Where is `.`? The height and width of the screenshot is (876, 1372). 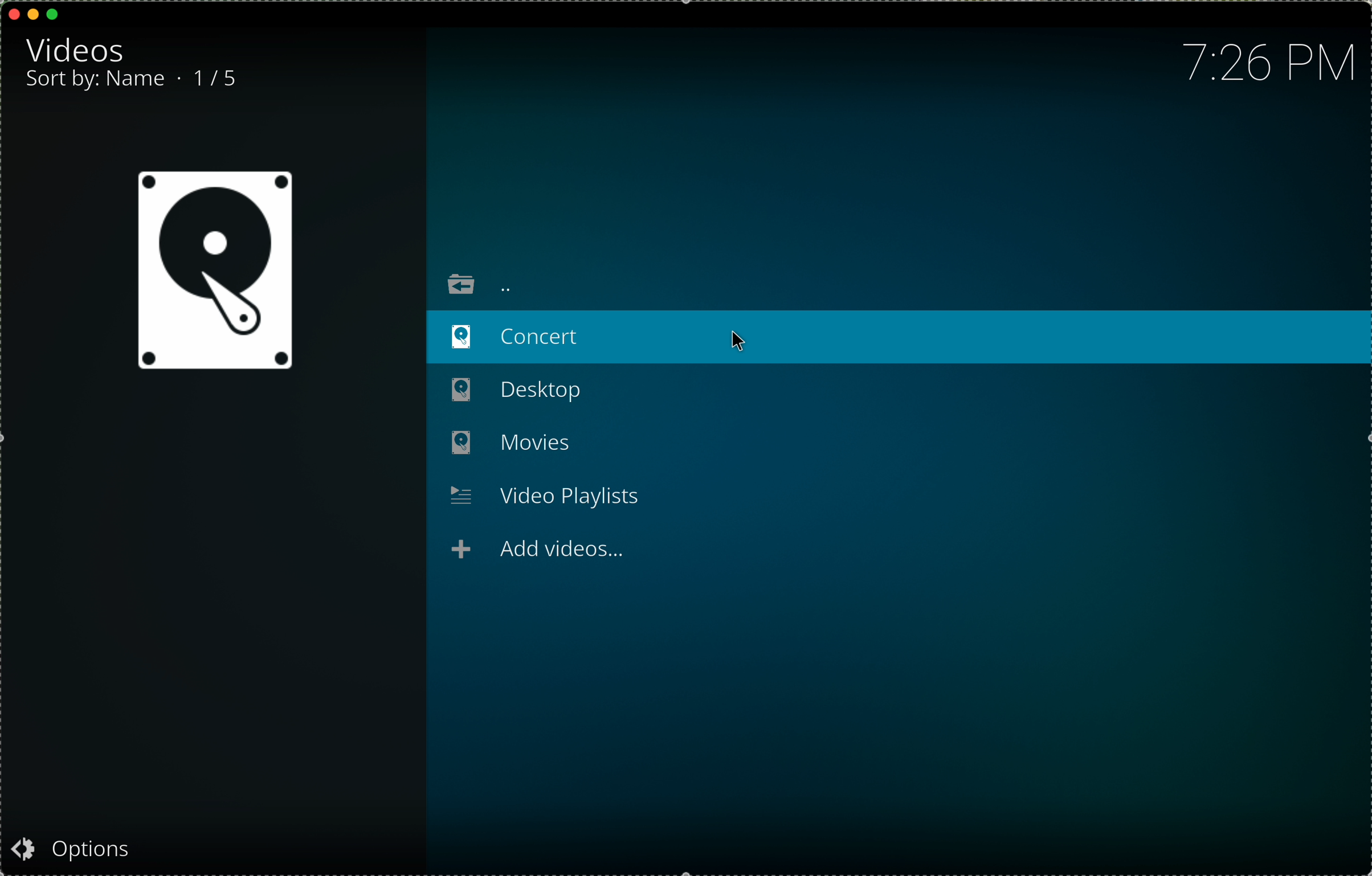 . is located at coordinates (181, 81).